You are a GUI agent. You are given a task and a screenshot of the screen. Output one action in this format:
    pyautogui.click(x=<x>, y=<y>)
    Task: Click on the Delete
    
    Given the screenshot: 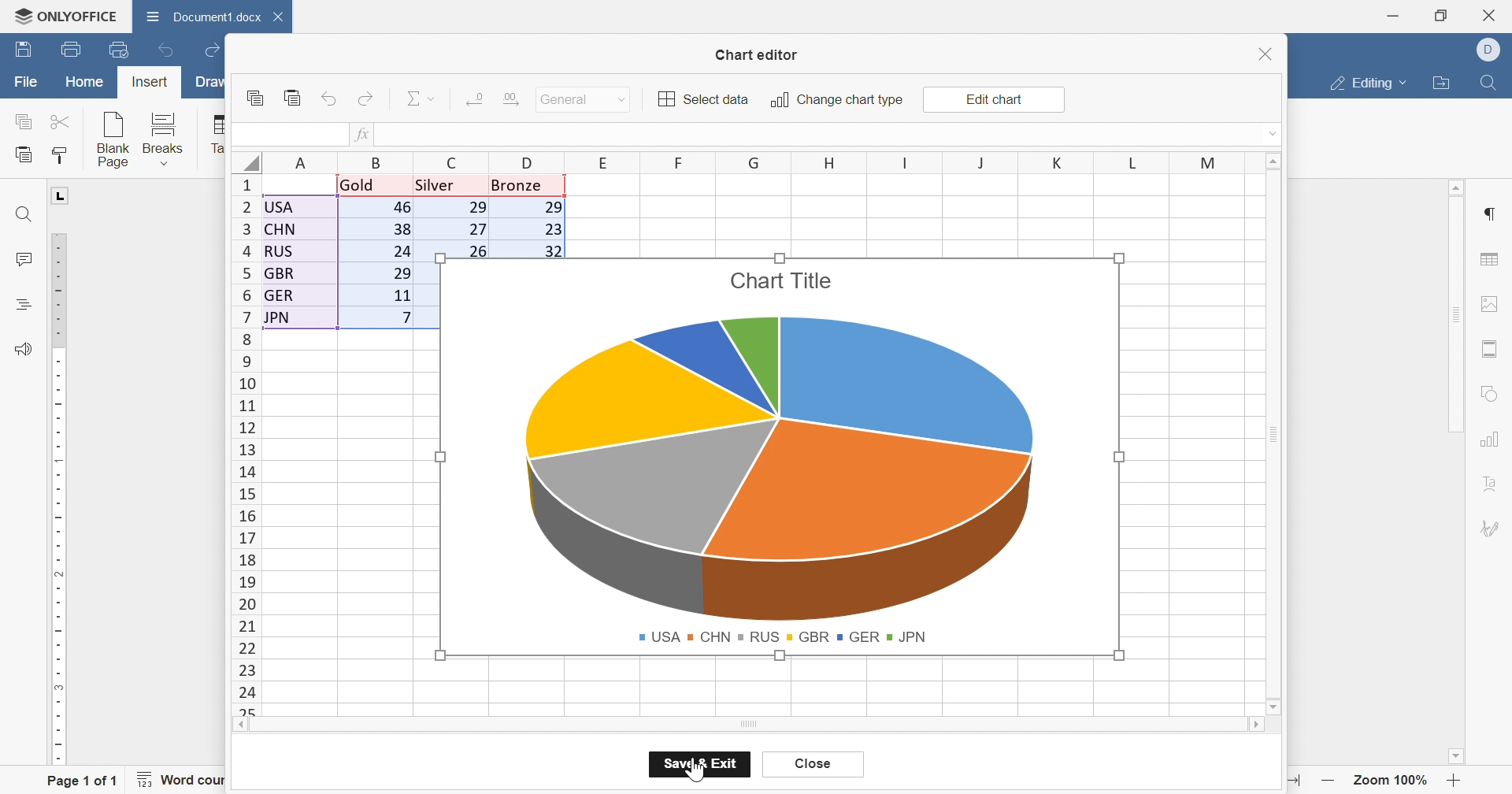 What is the action you would take?
    pyautogui.click(x=282, y=20)
    